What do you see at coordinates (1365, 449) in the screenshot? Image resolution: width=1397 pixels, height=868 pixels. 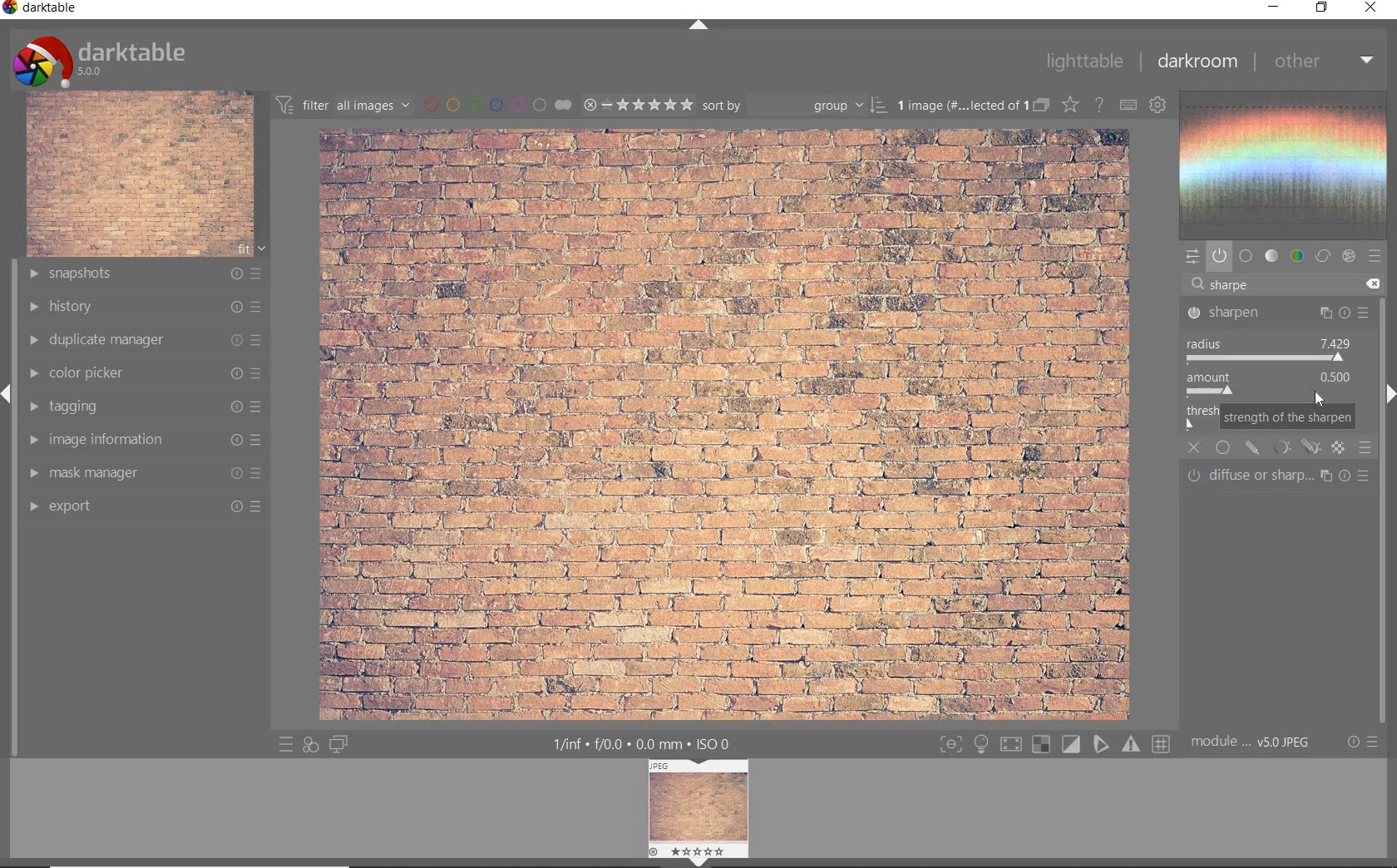 I see `BLENDING OPTIONS` at bounding box center [1365, 449].